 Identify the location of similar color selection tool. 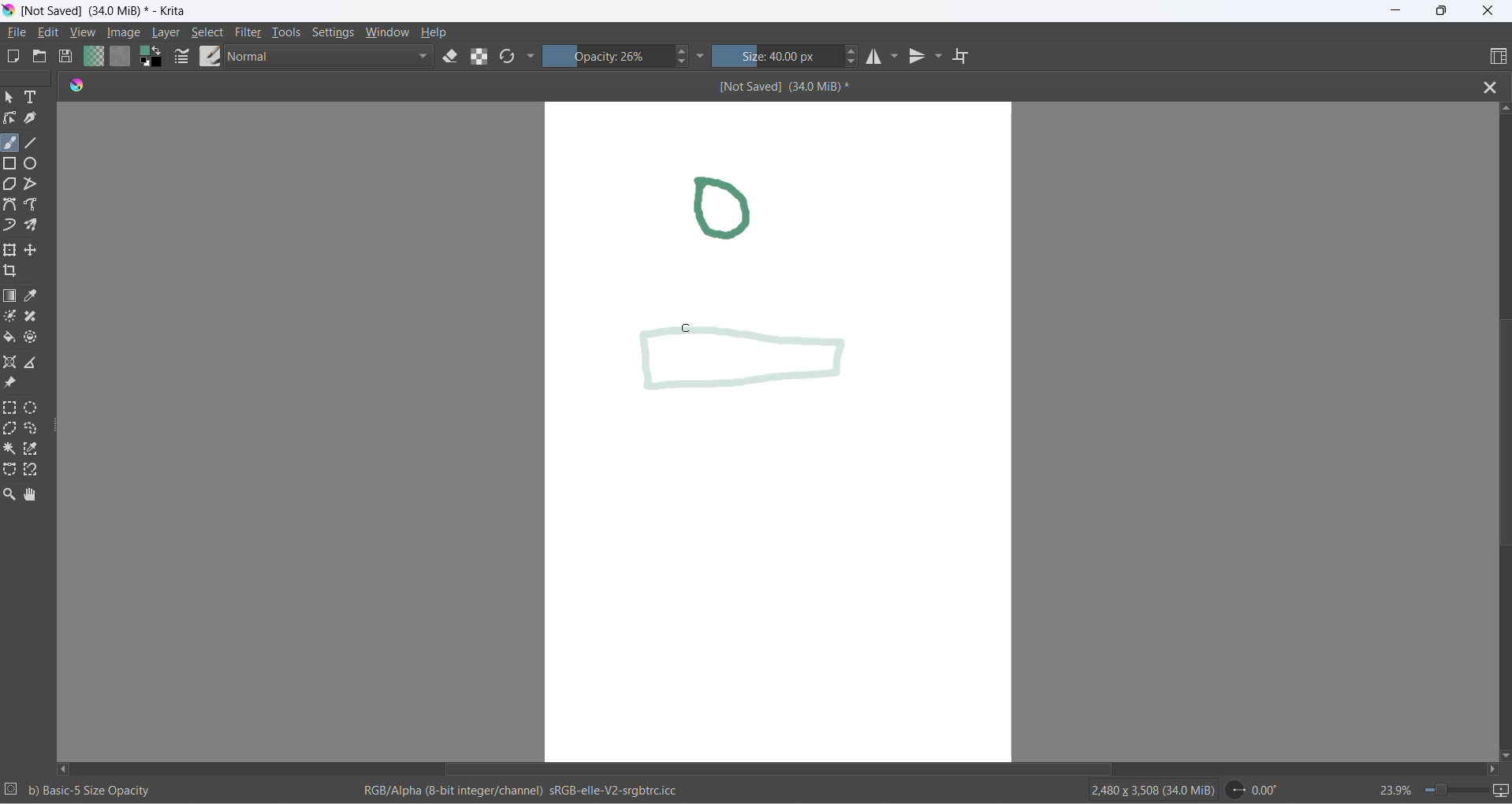
(36, 449).